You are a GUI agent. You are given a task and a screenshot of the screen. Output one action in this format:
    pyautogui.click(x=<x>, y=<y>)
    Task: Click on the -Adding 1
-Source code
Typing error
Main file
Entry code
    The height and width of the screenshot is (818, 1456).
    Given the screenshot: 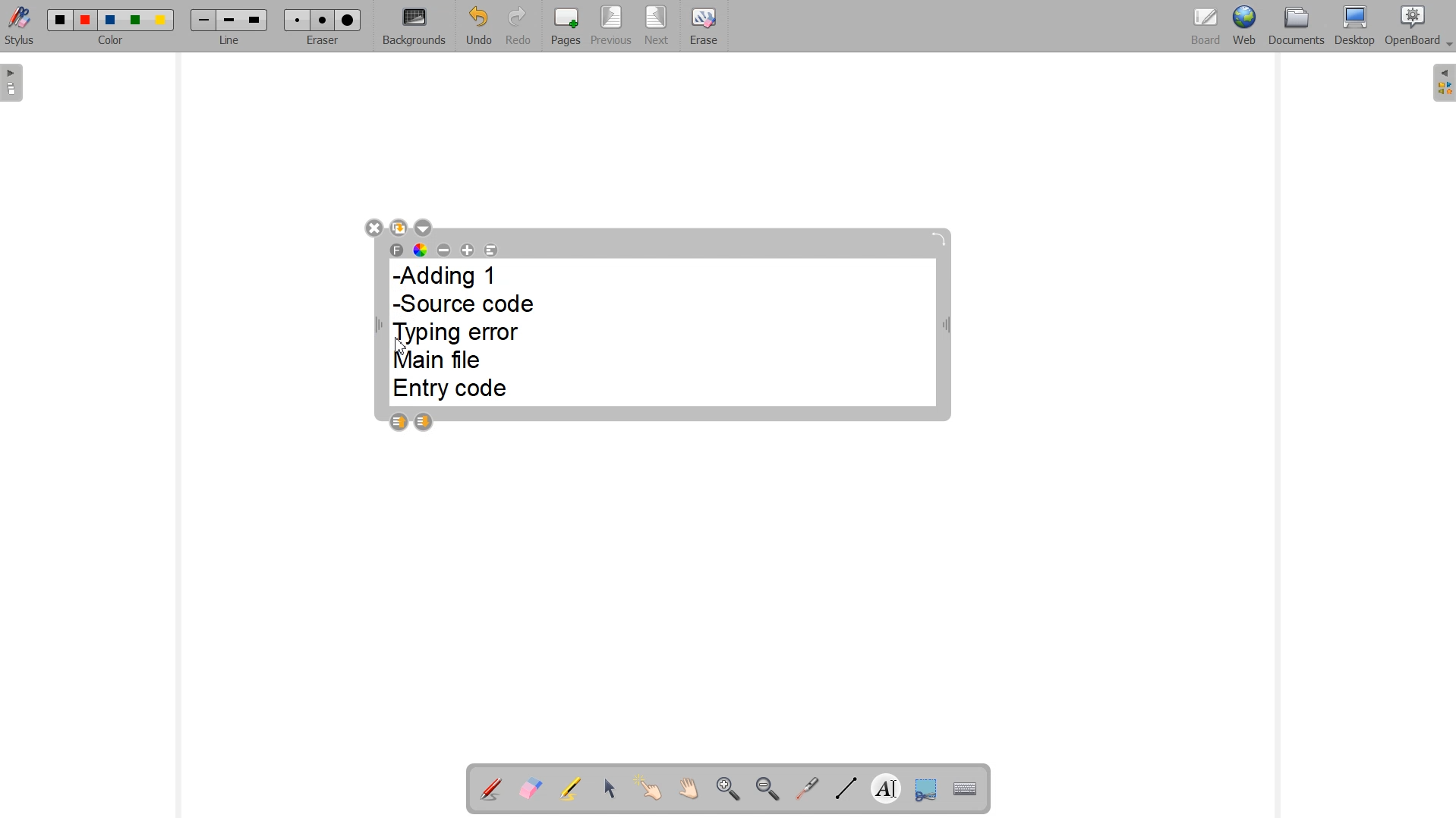 What is the action you would take?
    pyautogui.click(x=468, y=334)
    